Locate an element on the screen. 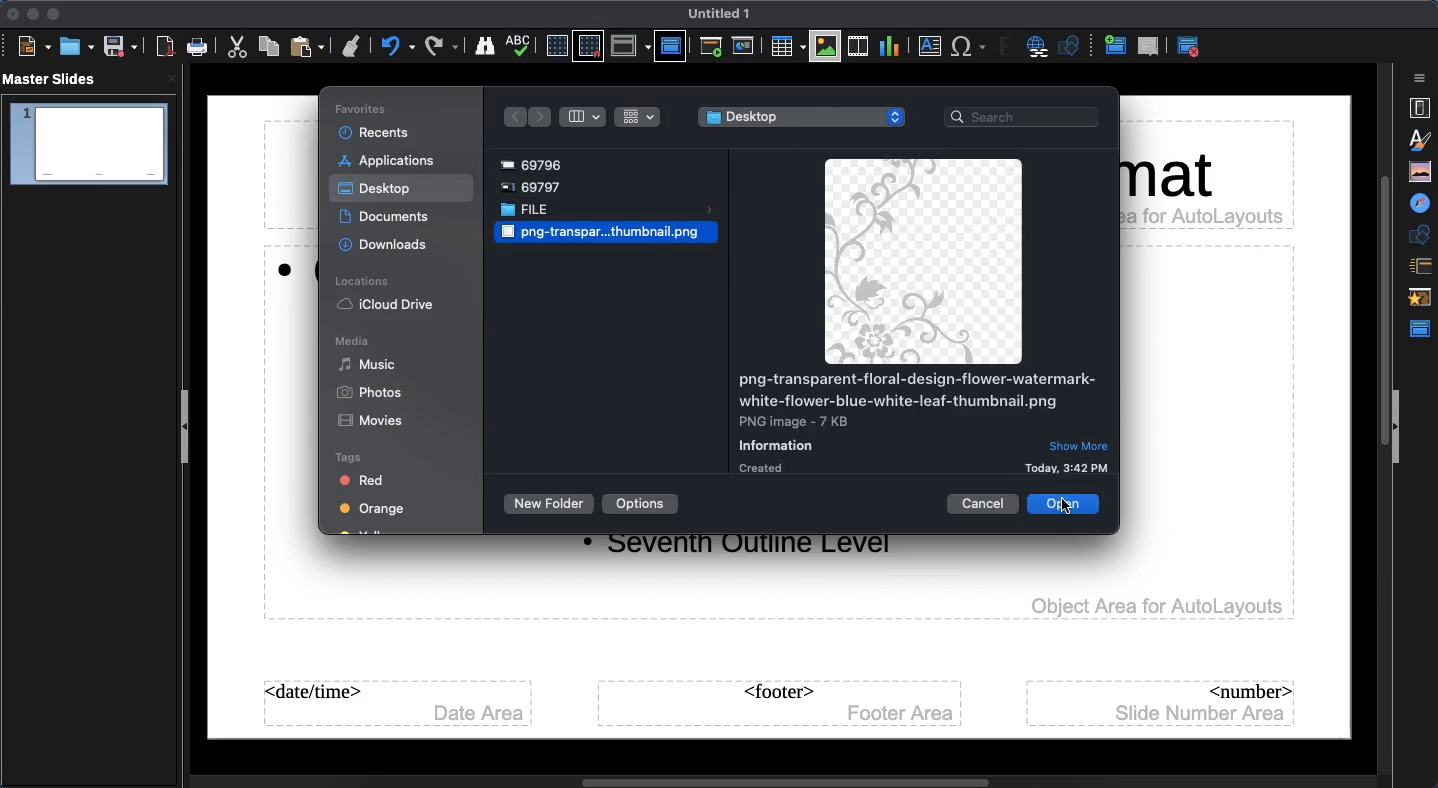  close is located at coordinates (172, 79).